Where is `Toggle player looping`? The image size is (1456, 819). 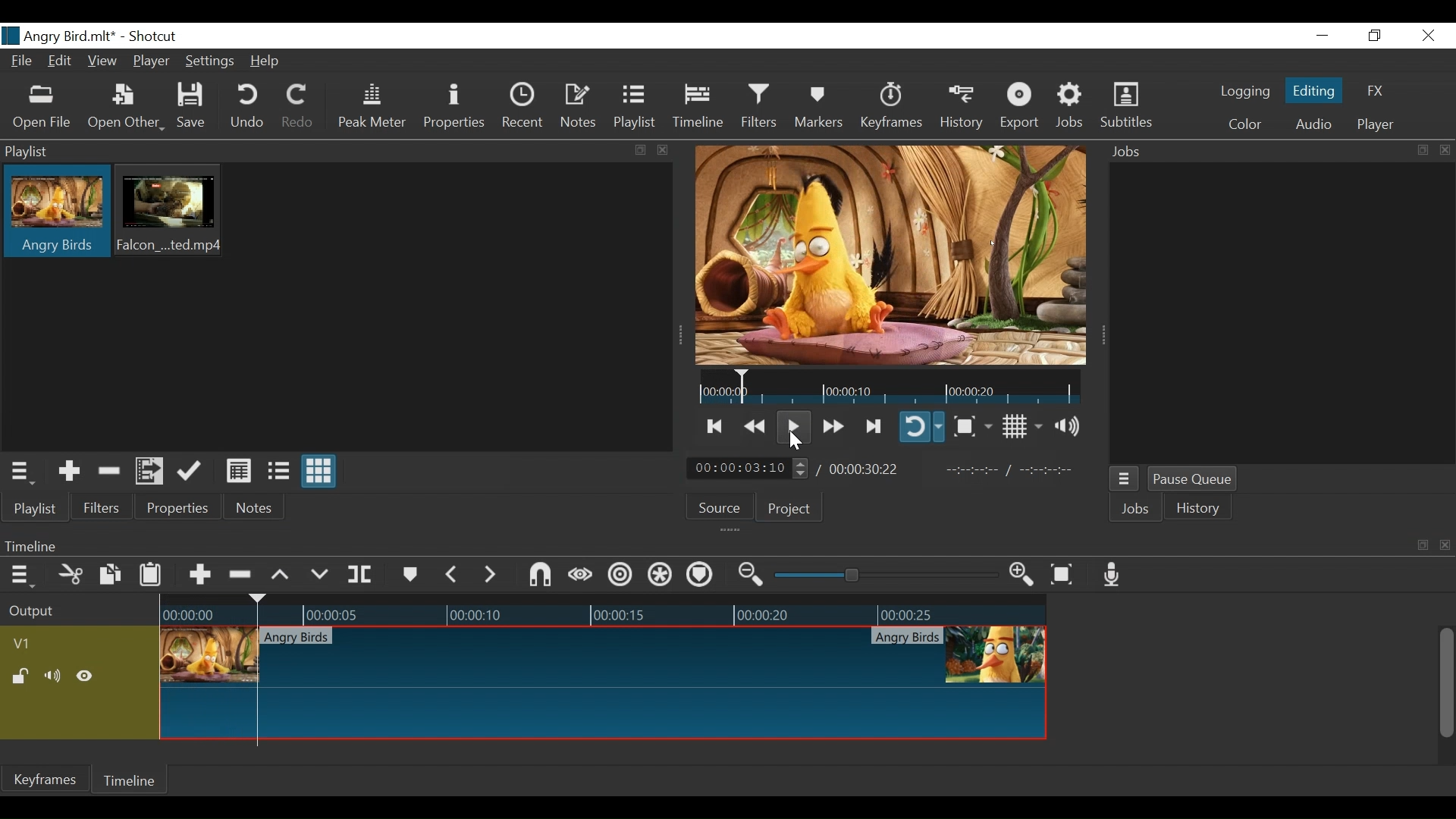 Toggle player looping is located at coordinates (921, 428).